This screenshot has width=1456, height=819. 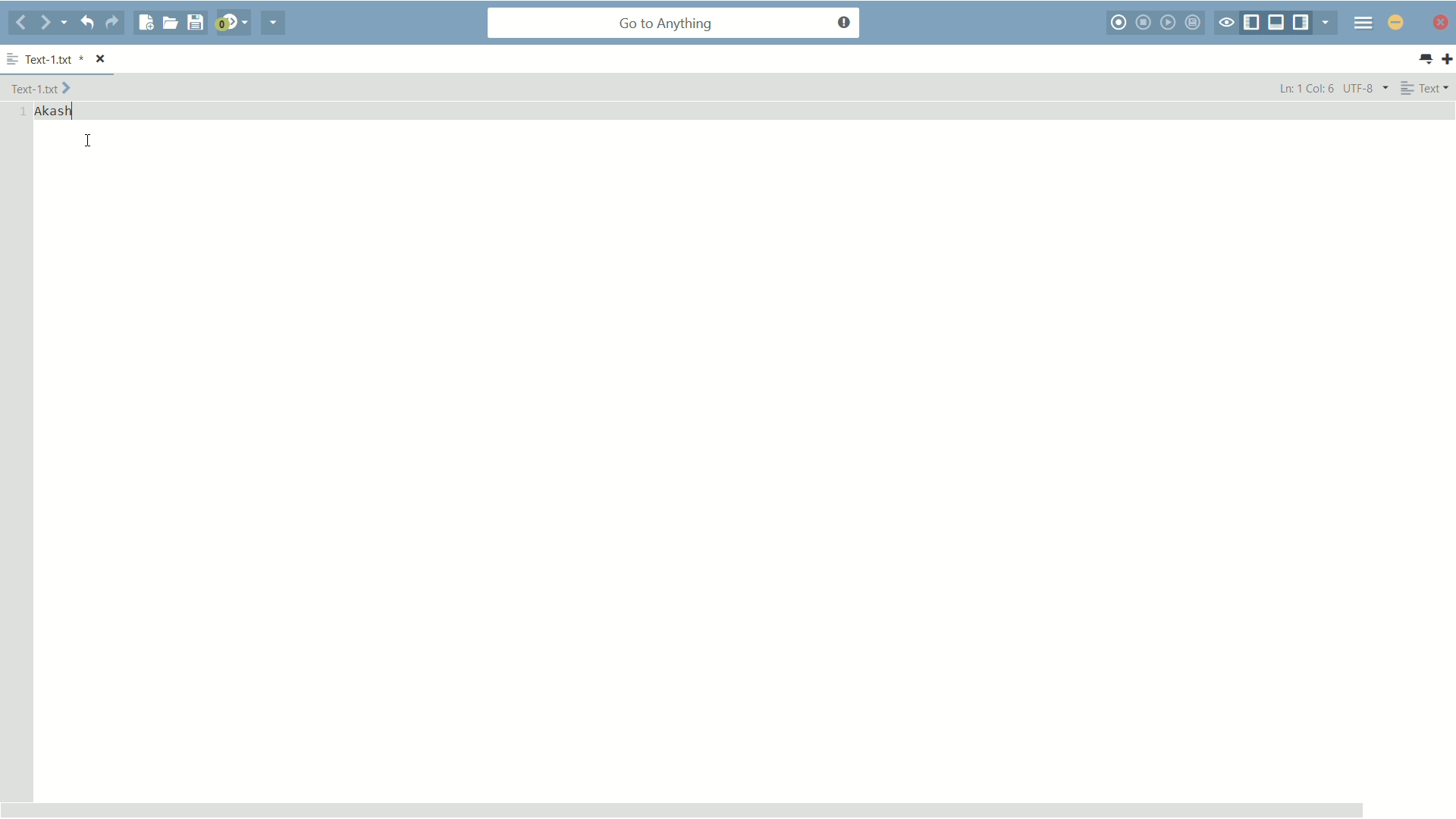 I want to click on Text-1.txt, so click(x=55, y=58).